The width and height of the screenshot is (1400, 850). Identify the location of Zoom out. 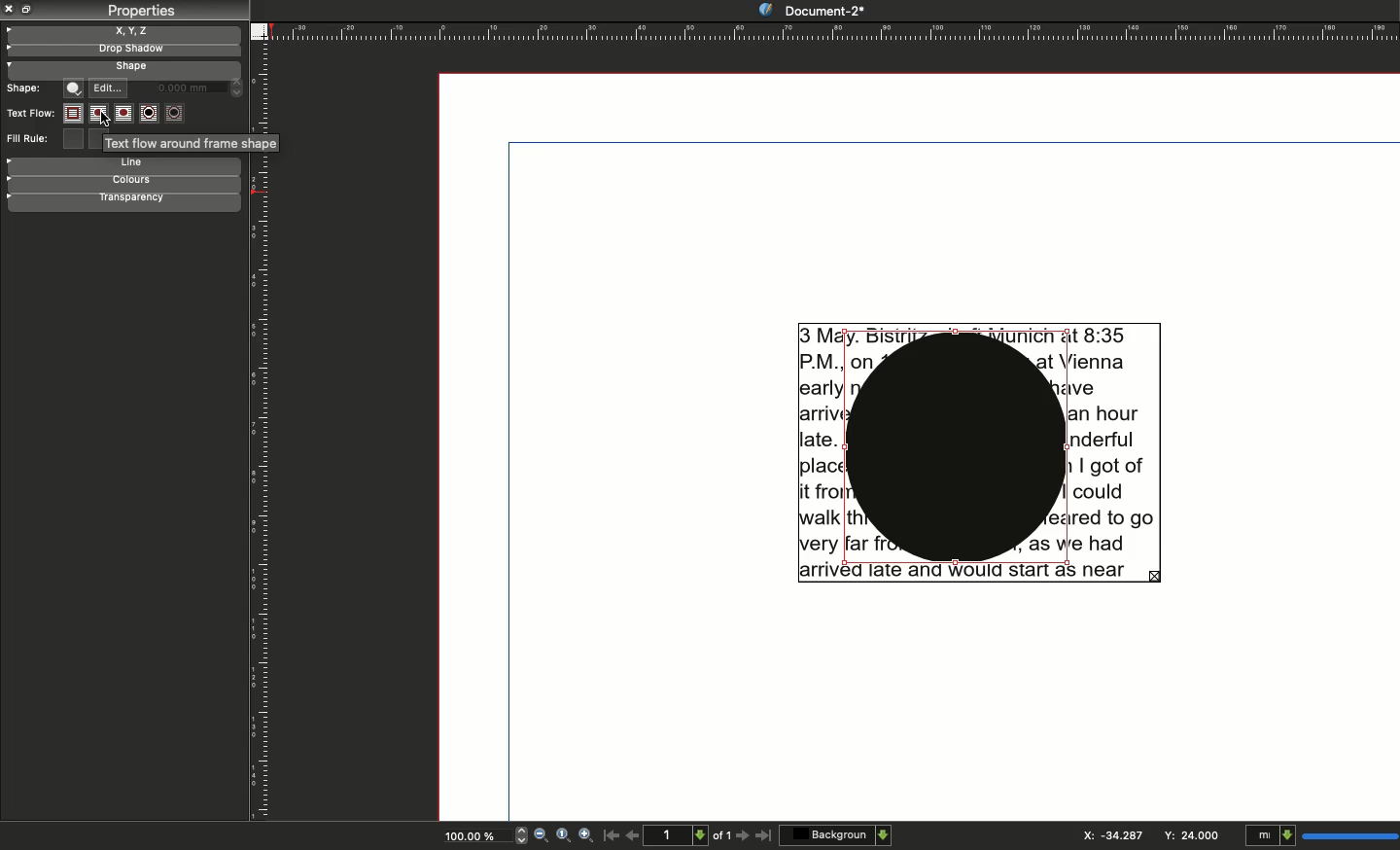
(542, 834).